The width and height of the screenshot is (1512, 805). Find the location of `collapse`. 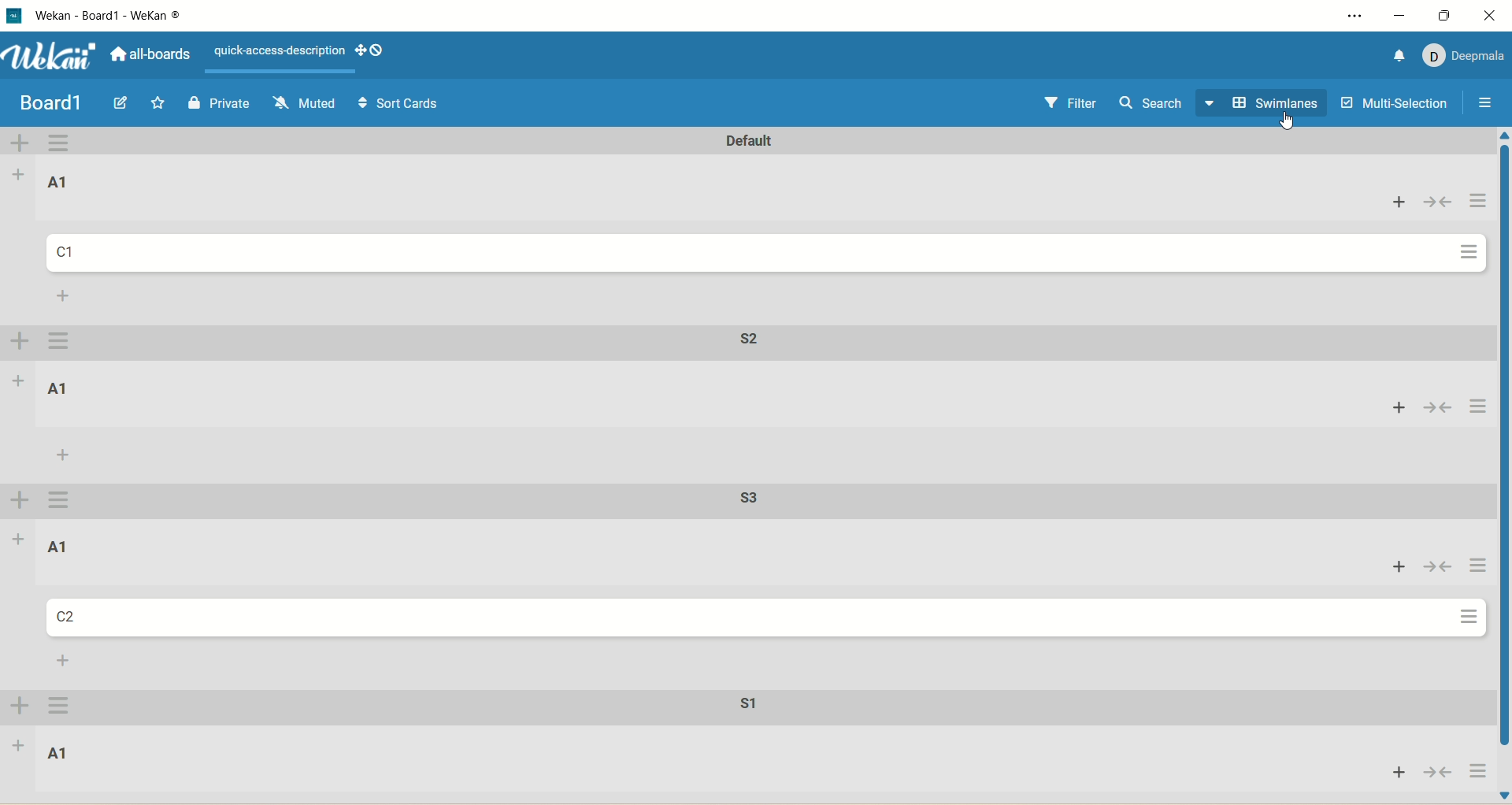

collapse is located at coordinates (1436, 568).